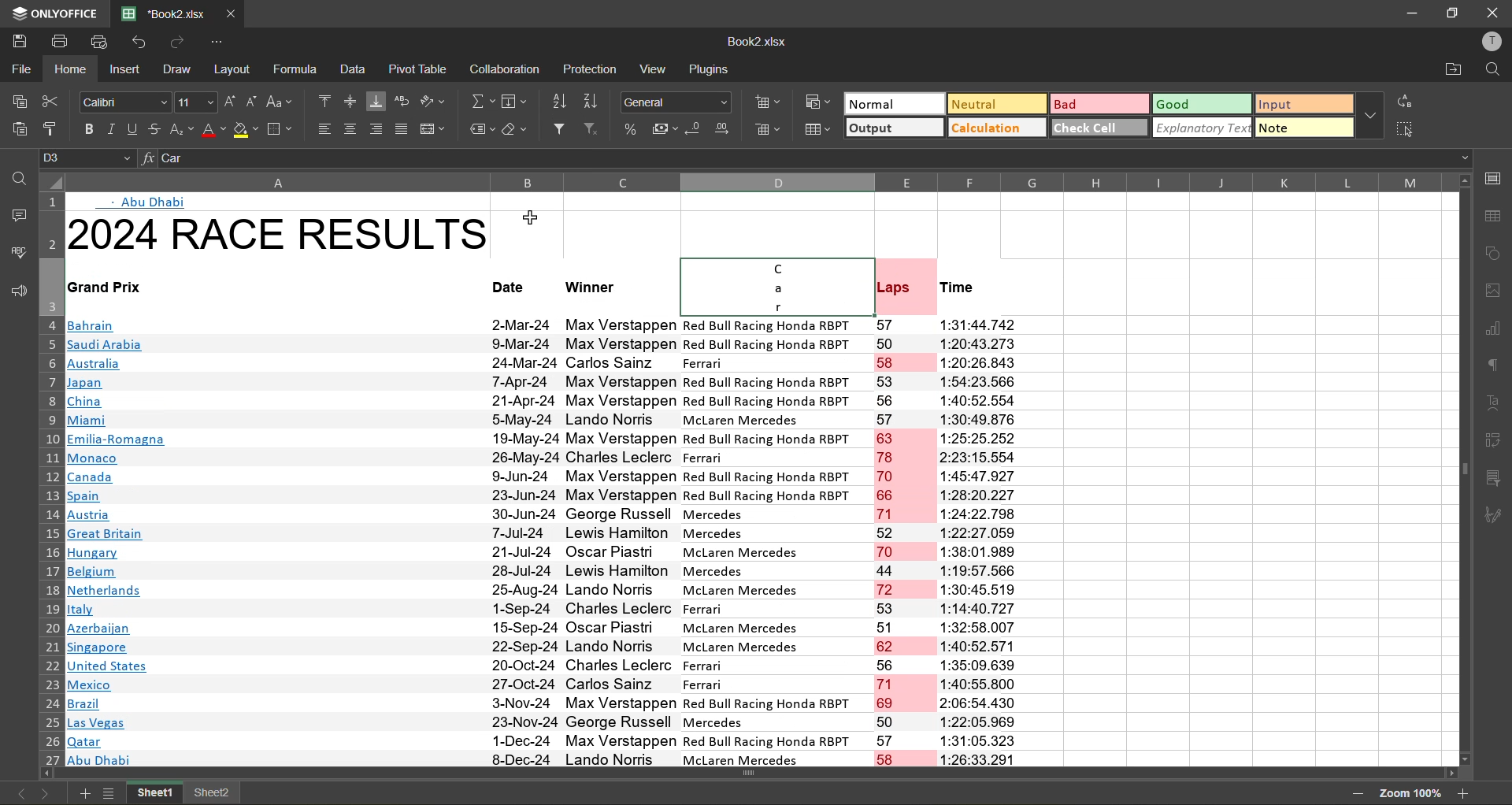  I want to click on comments, so click(17, 216).